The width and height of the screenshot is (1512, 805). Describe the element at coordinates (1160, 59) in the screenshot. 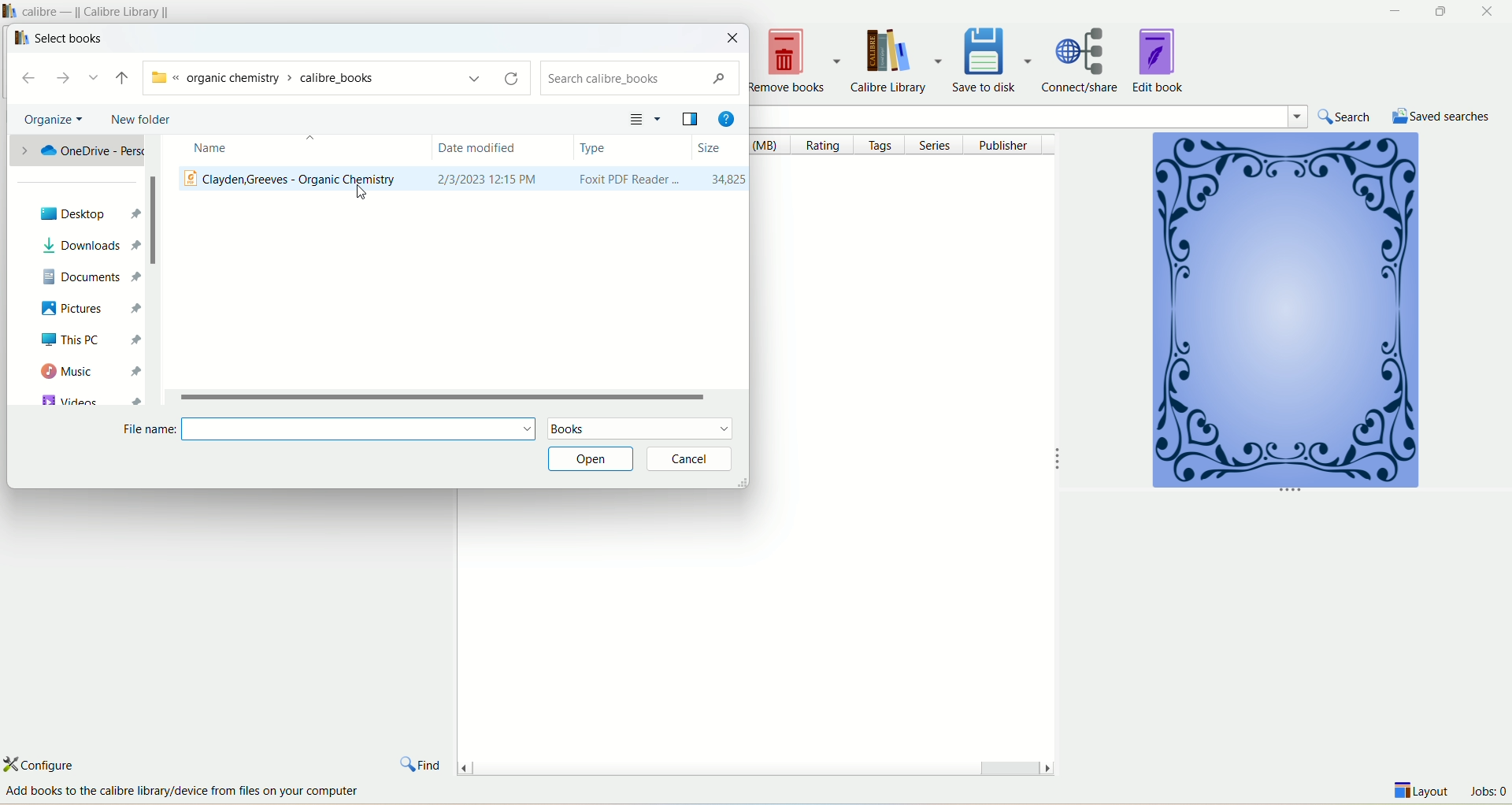

I see `edit book` at that location.